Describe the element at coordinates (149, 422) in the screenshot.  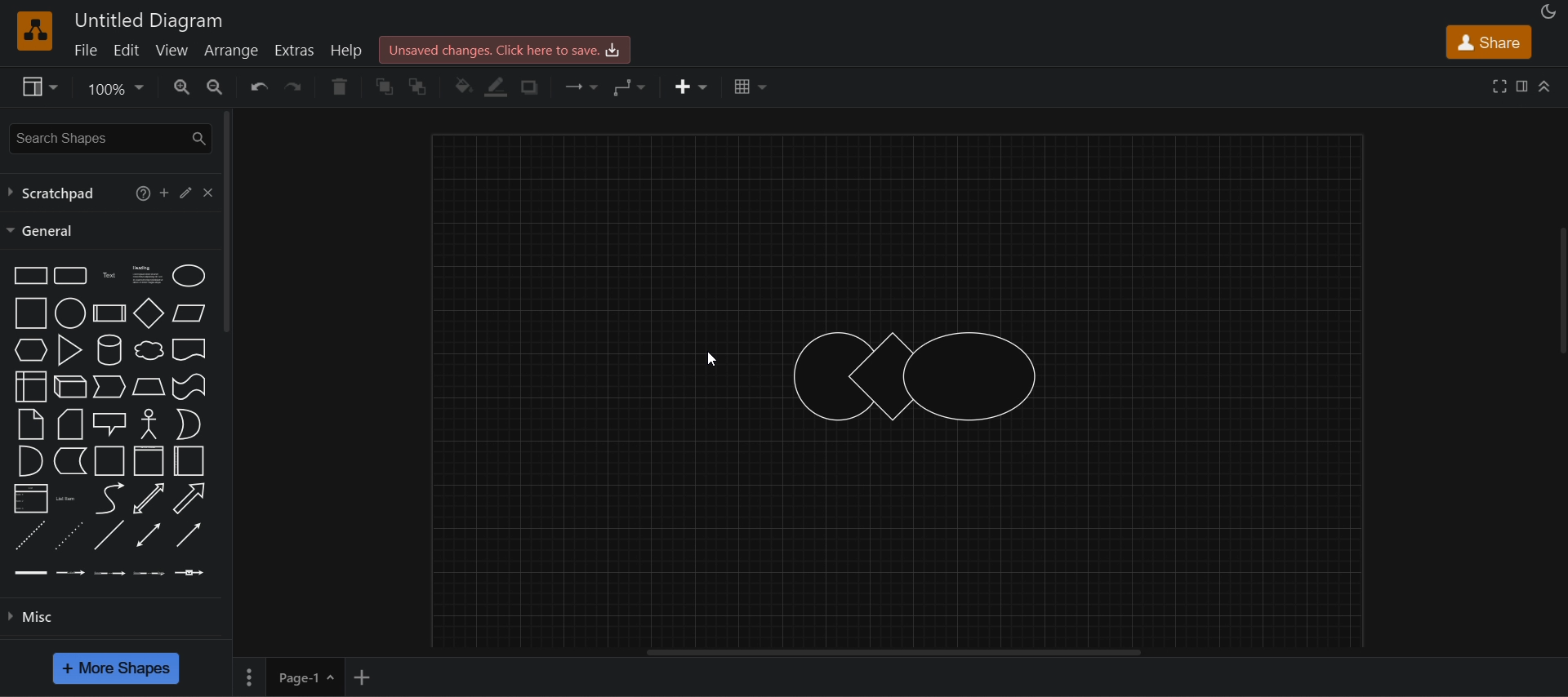
I see `actor` at that location.